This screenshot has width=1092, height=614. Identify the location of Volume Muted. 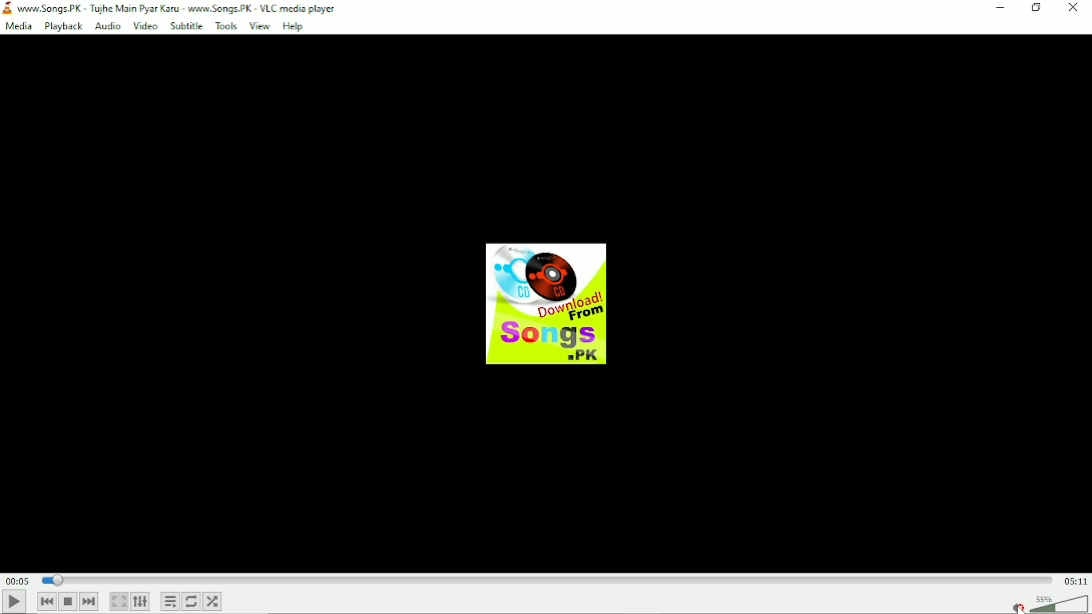
(1046, 604).